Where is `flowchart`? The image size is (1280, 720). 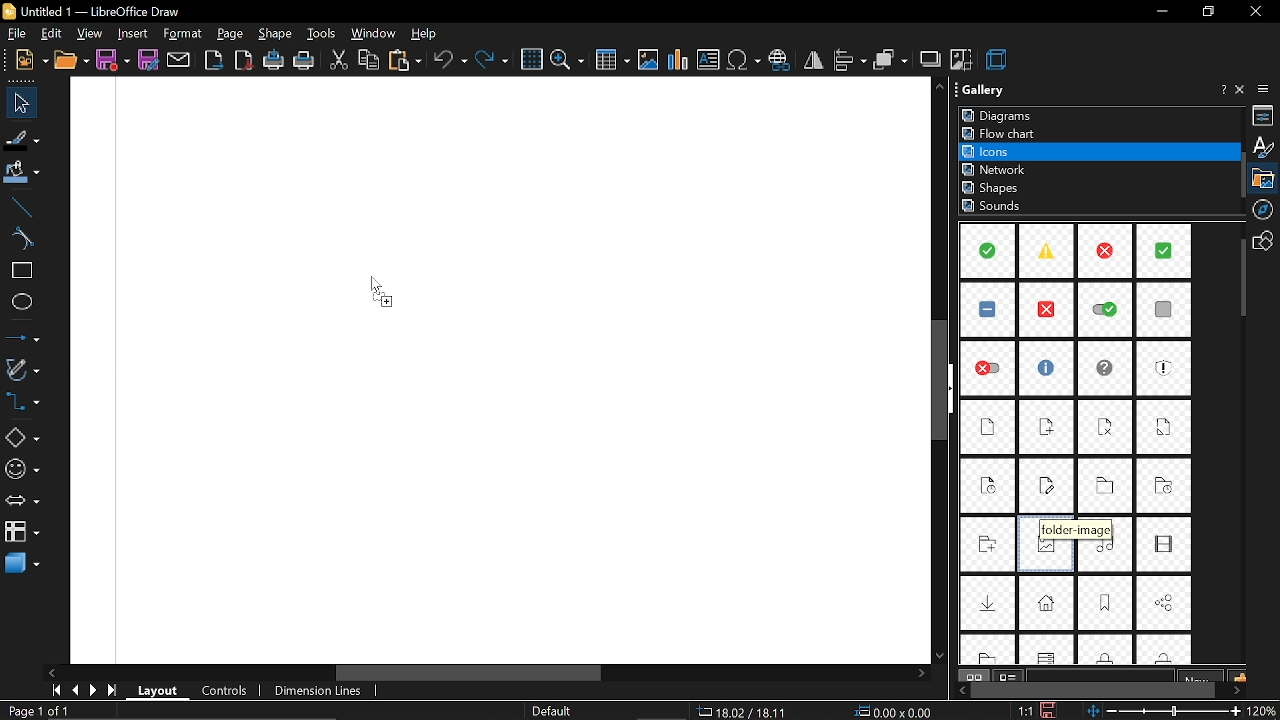 flowchart is located at coordinates (20, 532).